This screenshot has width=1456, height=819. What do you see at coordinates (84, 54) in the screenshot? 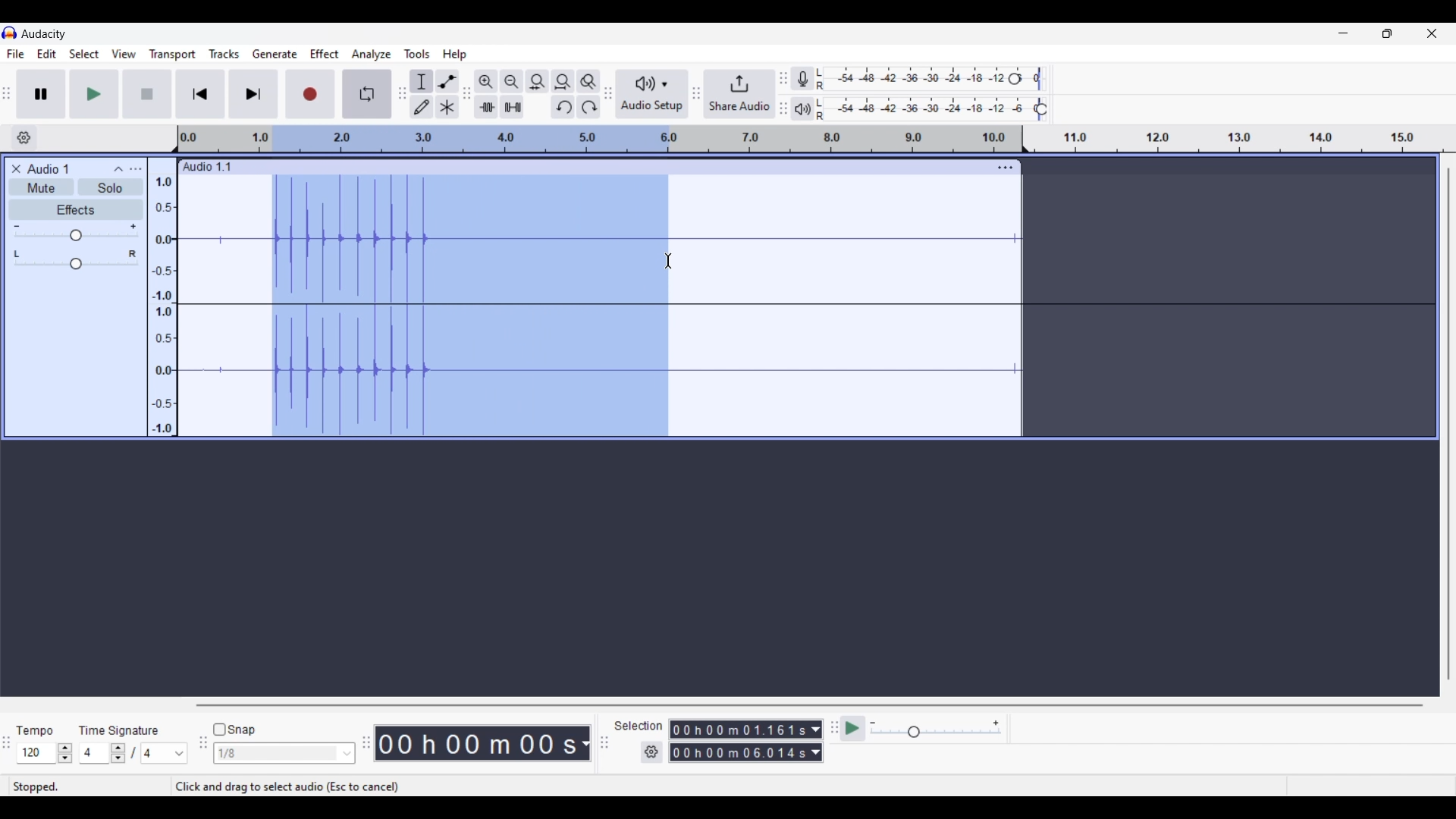
I see `Select menu` at bounding box center [84, 54].